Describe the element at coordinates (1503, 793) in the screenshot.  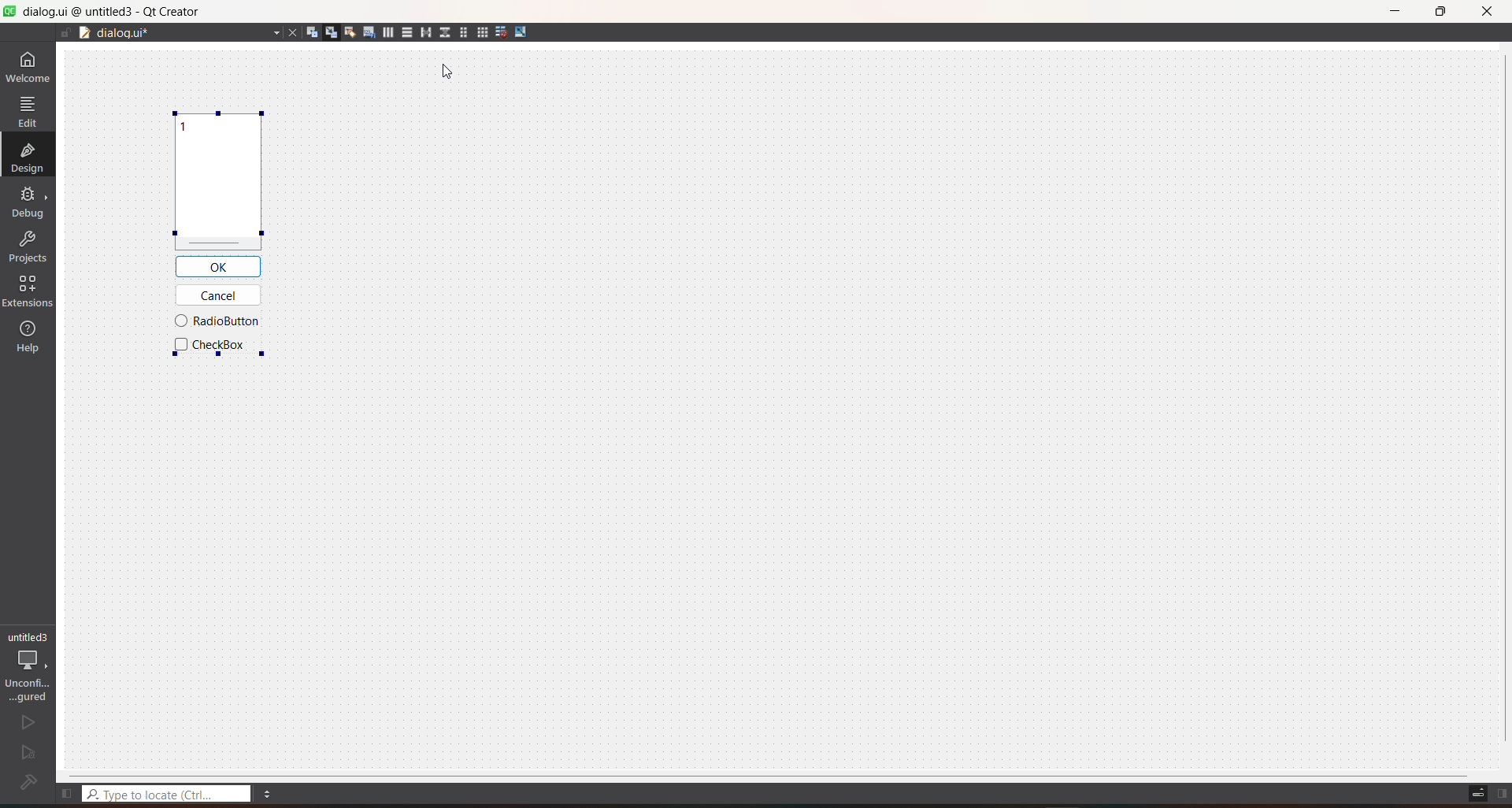
I see `show right sidebar` at that location.